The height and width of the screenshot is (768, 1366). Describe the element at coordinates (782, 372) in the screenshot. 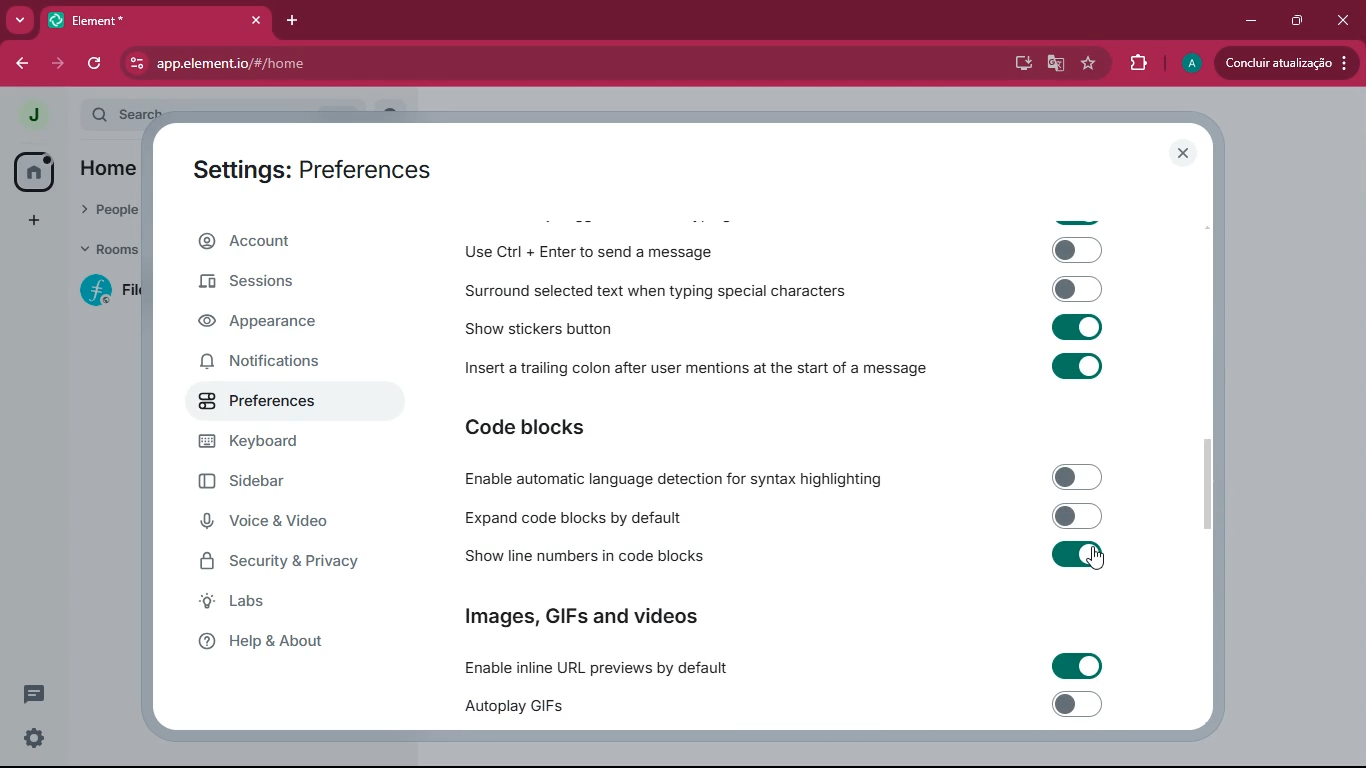

I see `Insert a trailing colon after user mentions at the start of a message` at that location.